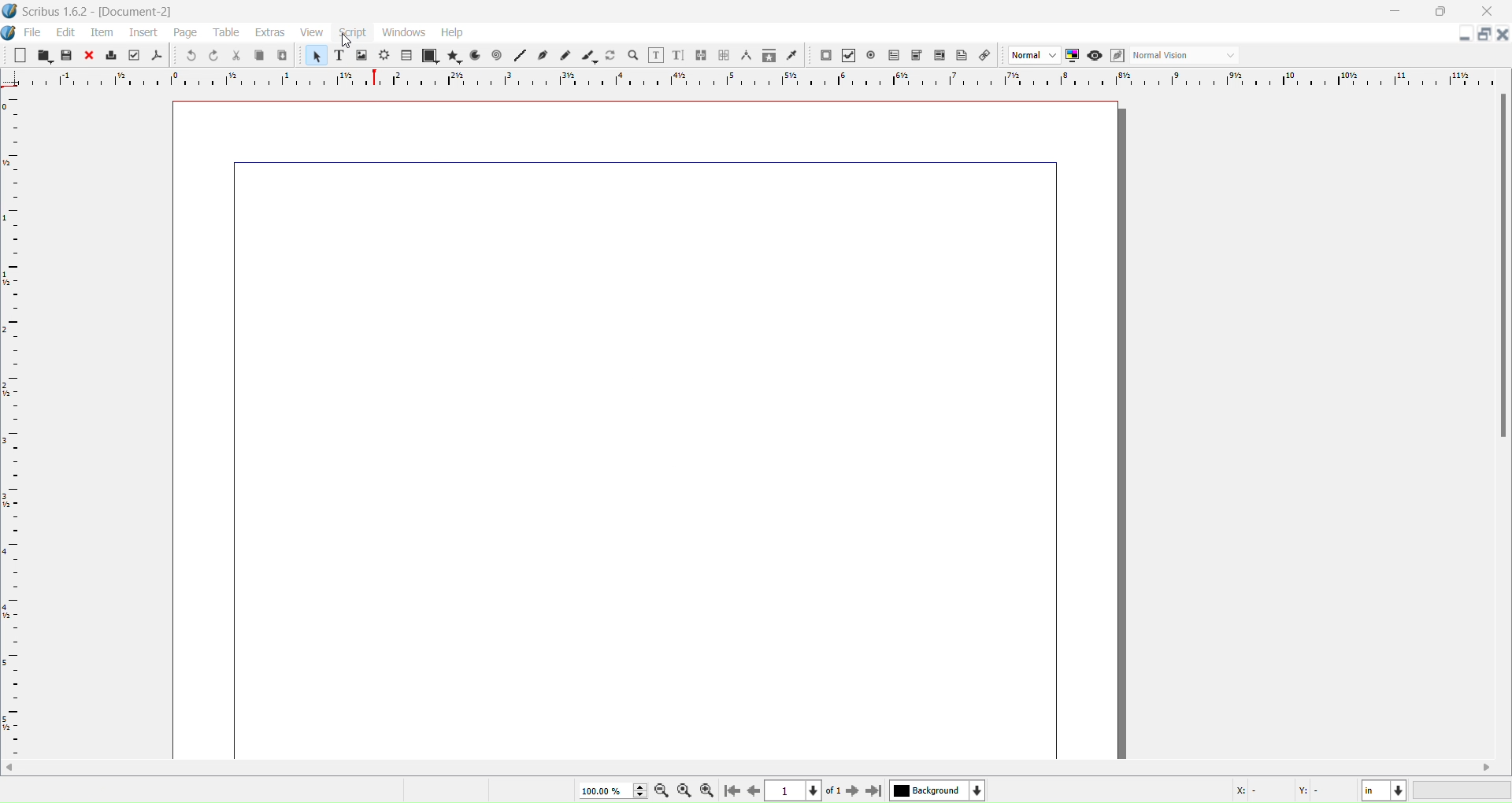  Describe the element at coordinates (1117, 56) in the screenshot. I see `Edit in Preview mode` at that location.